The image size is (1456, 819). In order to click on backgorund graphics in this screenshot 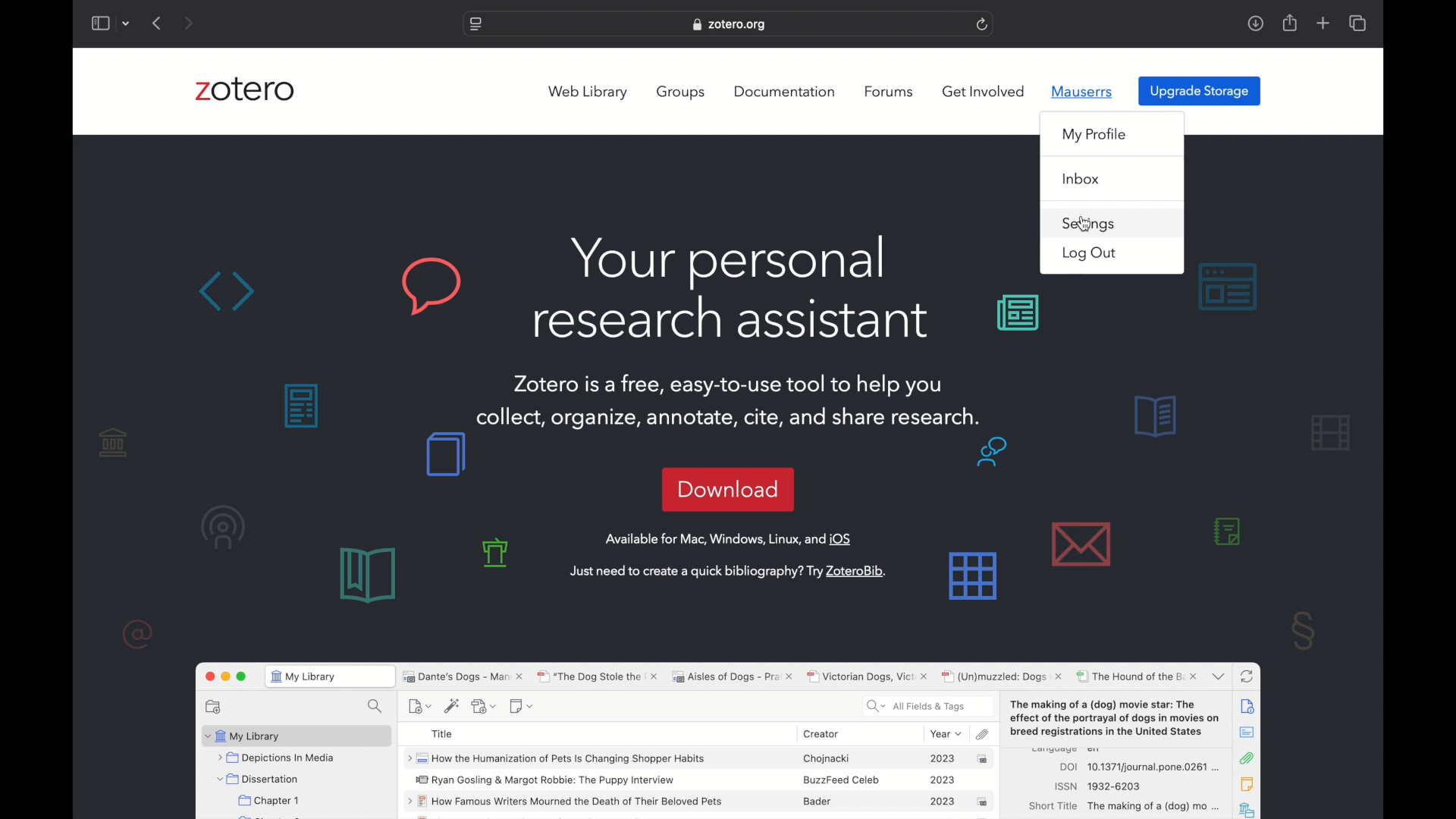, I will do `click(297, 405)`.